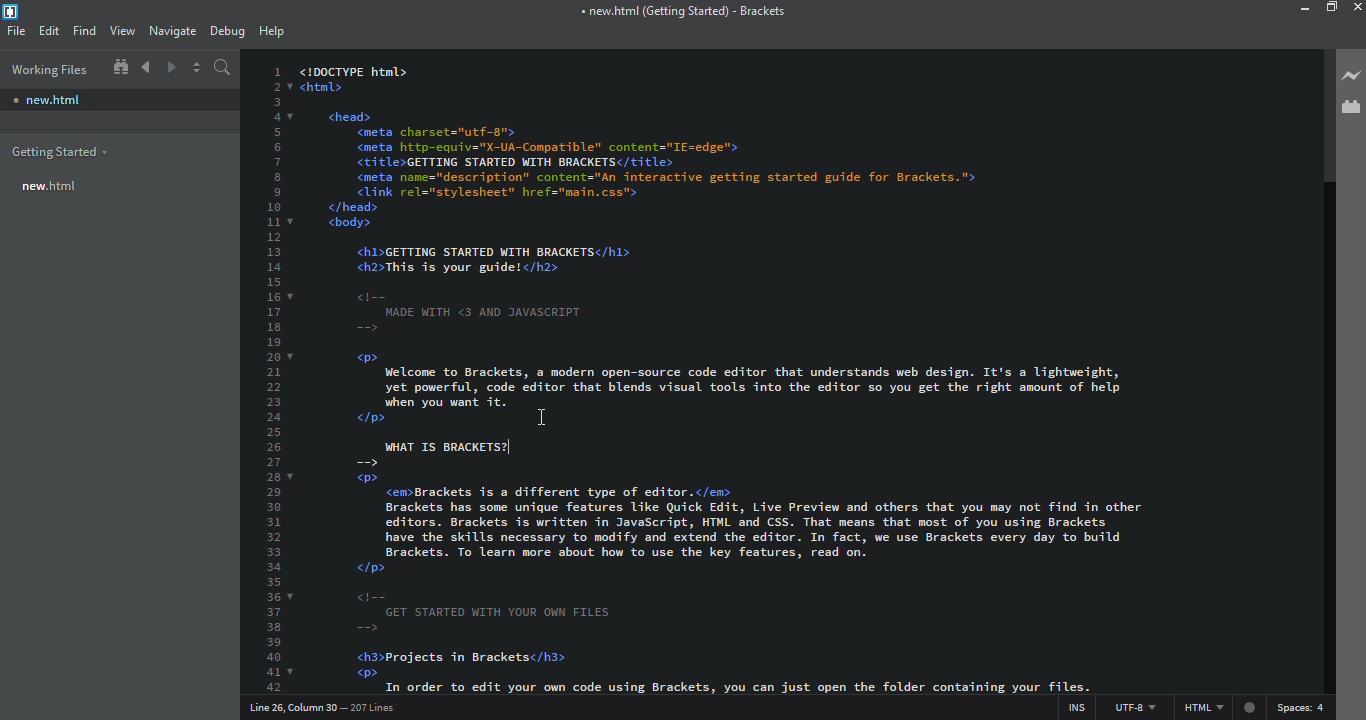 The image size is (1366, 720). I want to click on find, so click(85, 30).